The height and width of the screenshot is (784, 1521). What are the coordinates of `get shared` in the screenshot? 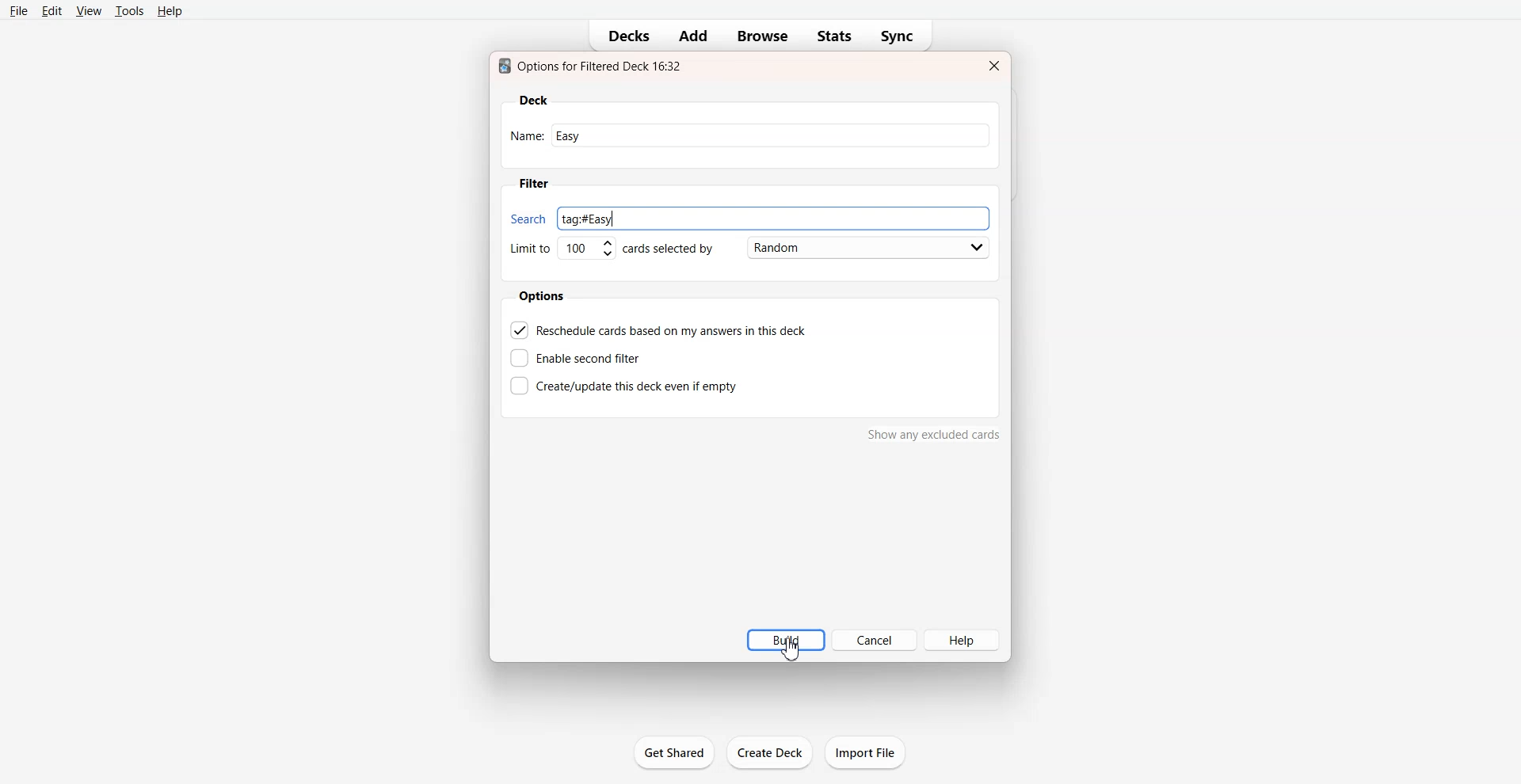 It's located at (677, 755).